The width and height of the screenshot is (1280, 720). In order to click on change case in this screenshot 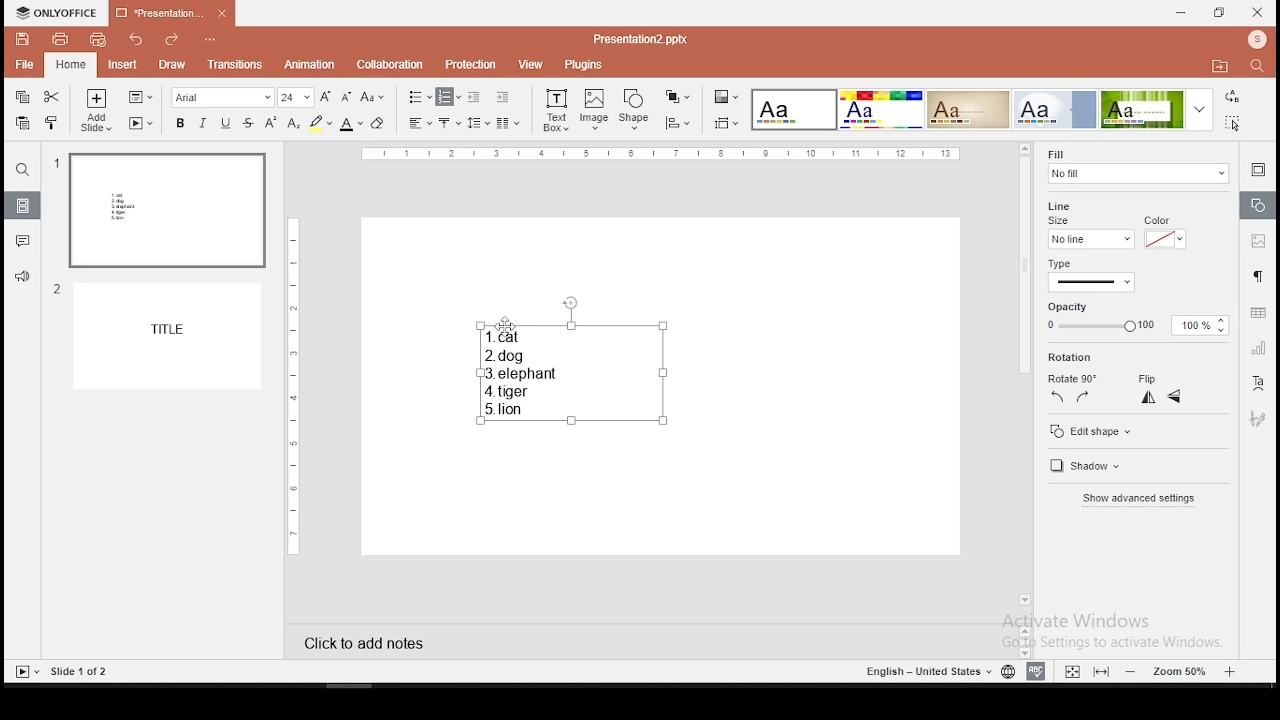, I will do `click(372, 96)`.